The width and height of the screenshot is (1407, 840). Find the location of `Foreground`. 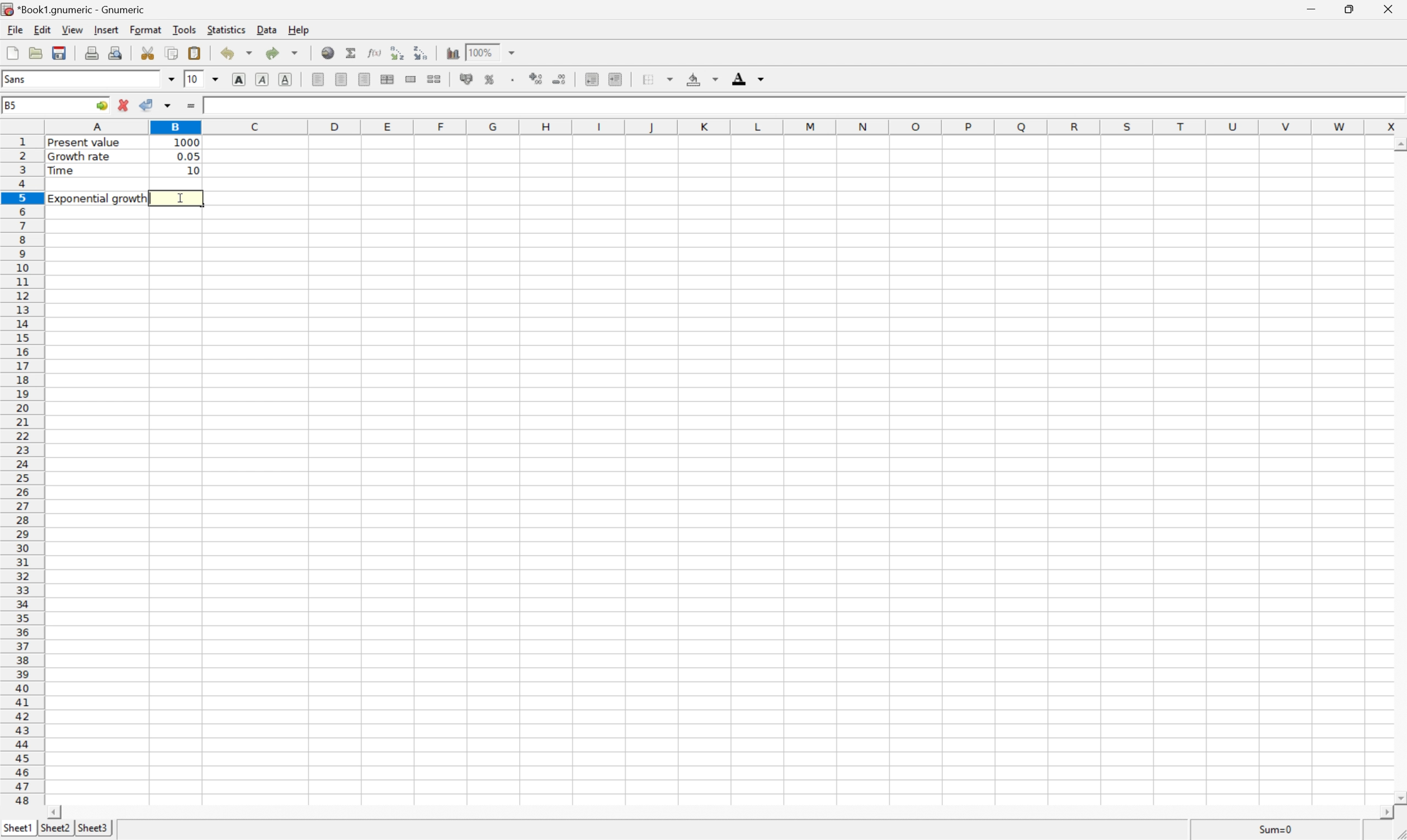

Foreground is located at coordinates (747, 78).